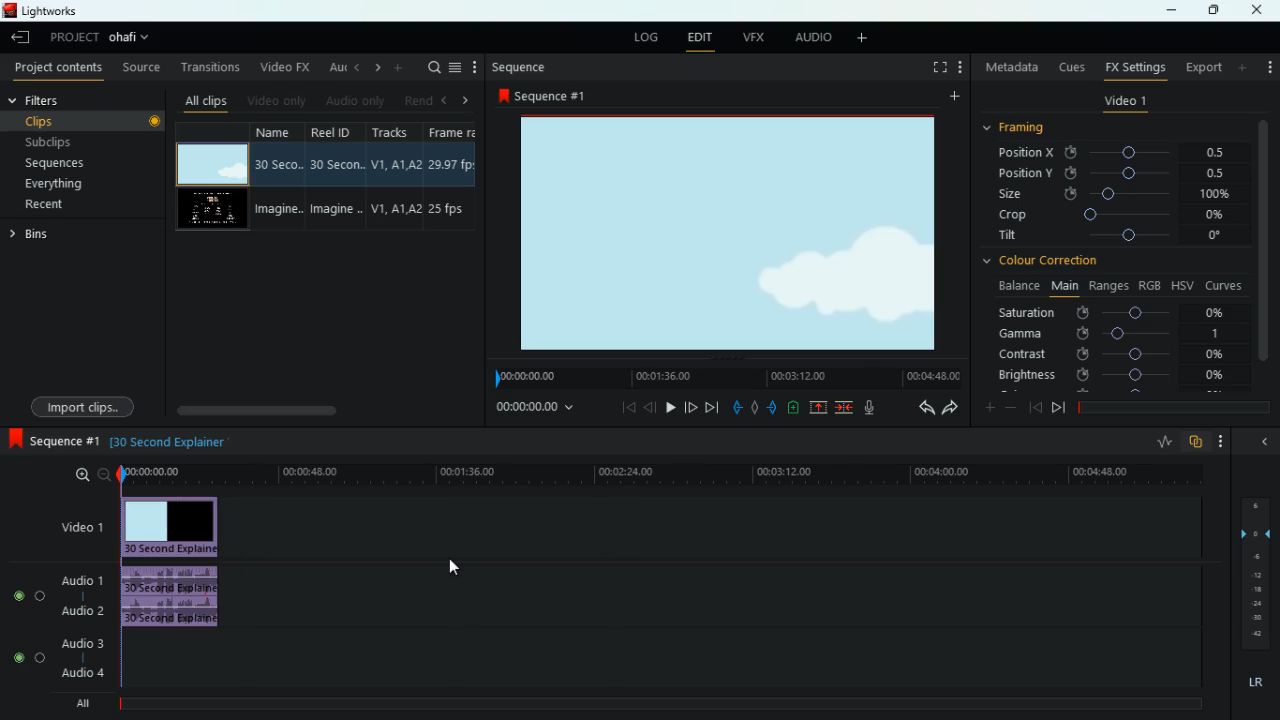 The width and height of the screenshot is (1280, 720). What do you see at coordinates (138, 66) in the screenshot?
I see `source` at bounding box center [138, 66].